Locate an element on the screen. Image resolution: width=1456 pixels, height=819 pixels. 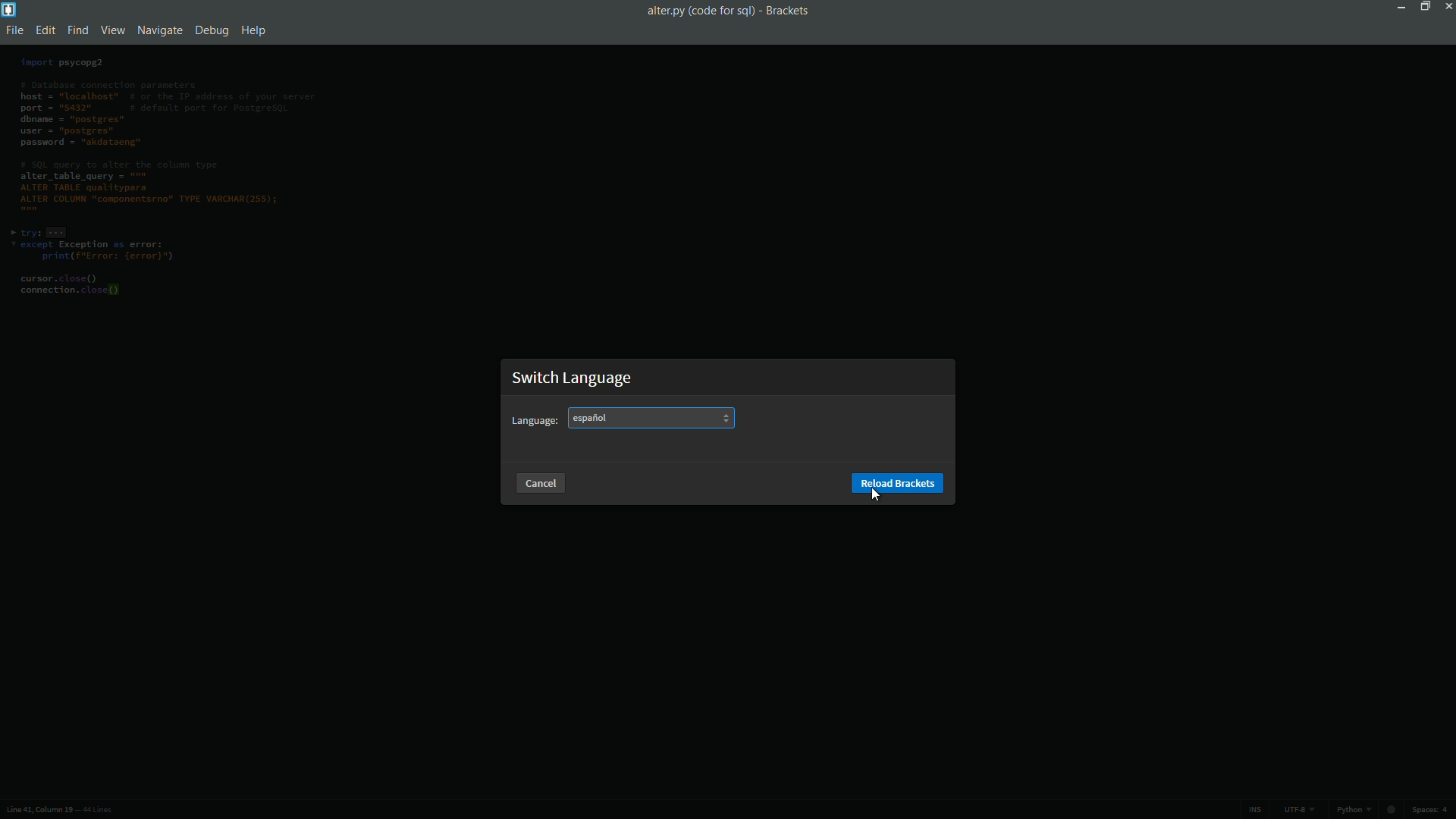
scroll up/scroll down  is located at coordinates (725, 418).